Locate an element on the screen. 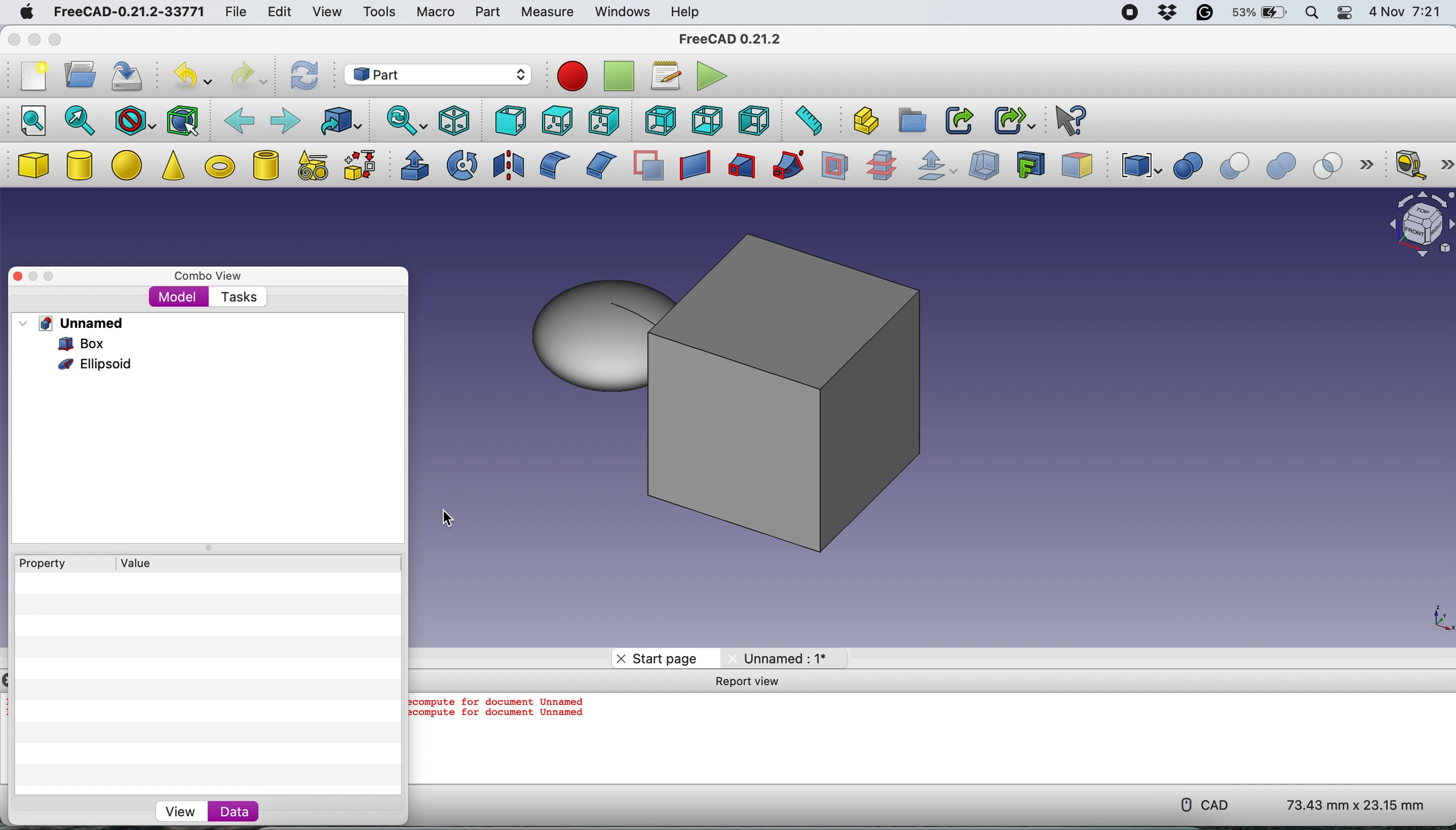 The height and width of the screenshot is (830, 1456). part is located at coordinates (487, 14).